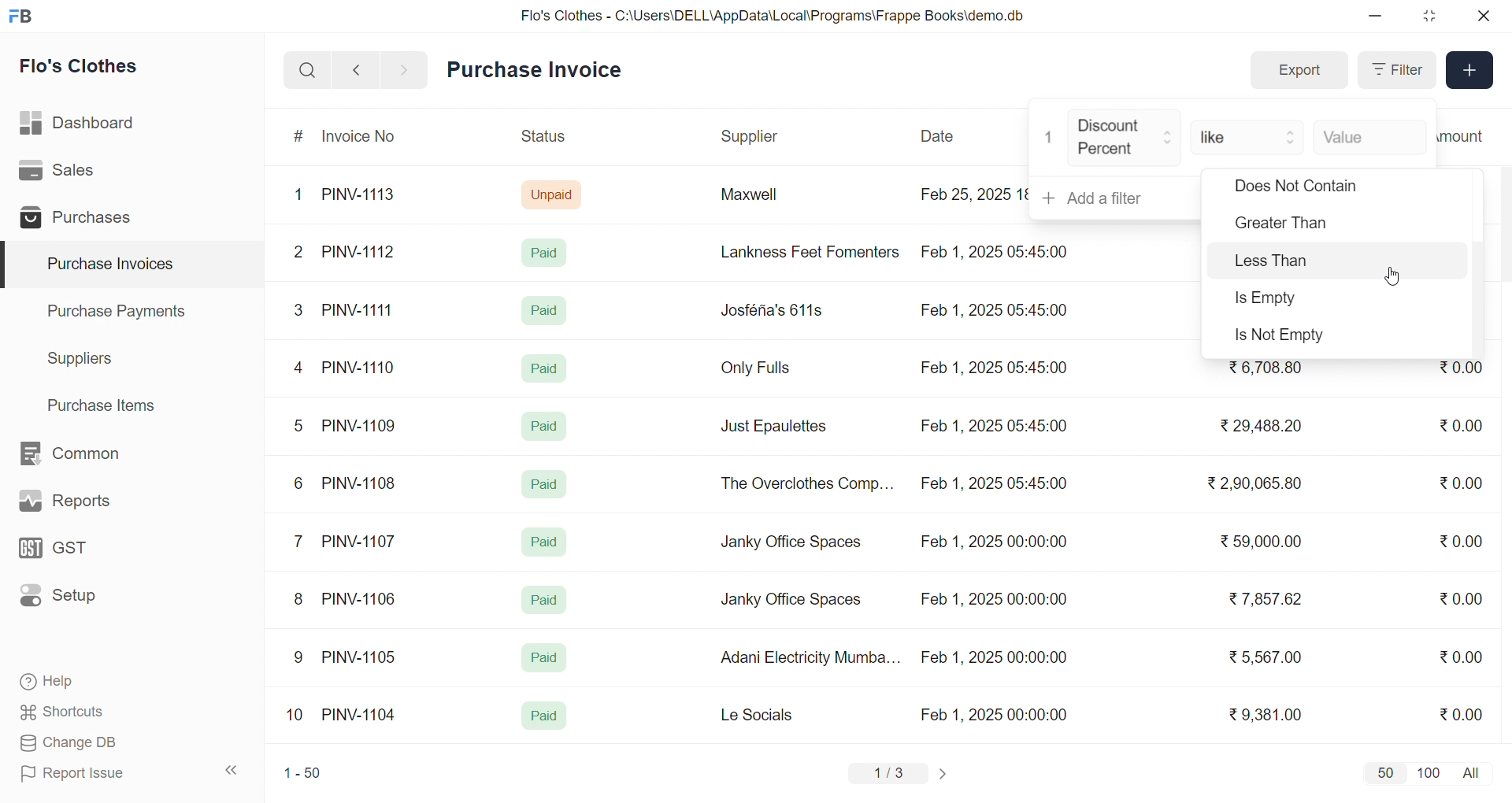 This screenshot has height=803, width=1512. What do you see at coordinates (544, 716) in the screenshot?
I see `Paid` at bounding box center [544, 716].